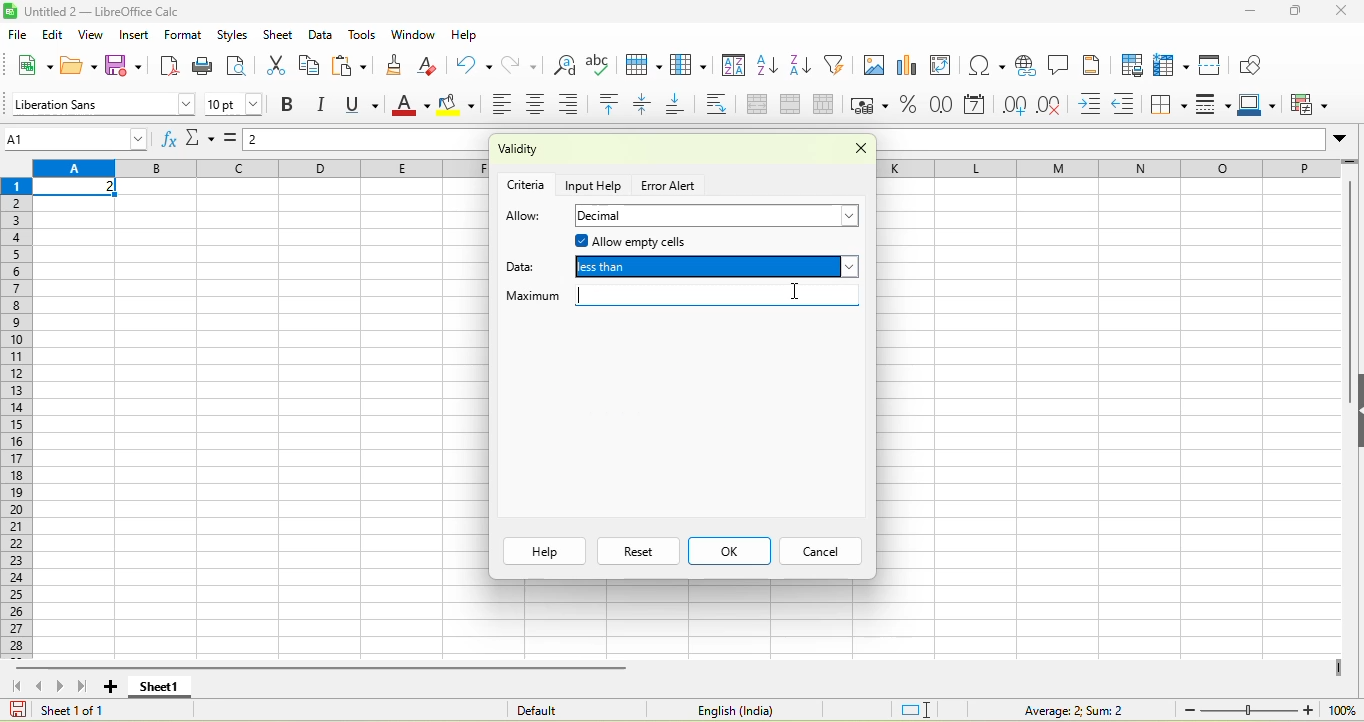  I want to click on font size, so click(235, 104).